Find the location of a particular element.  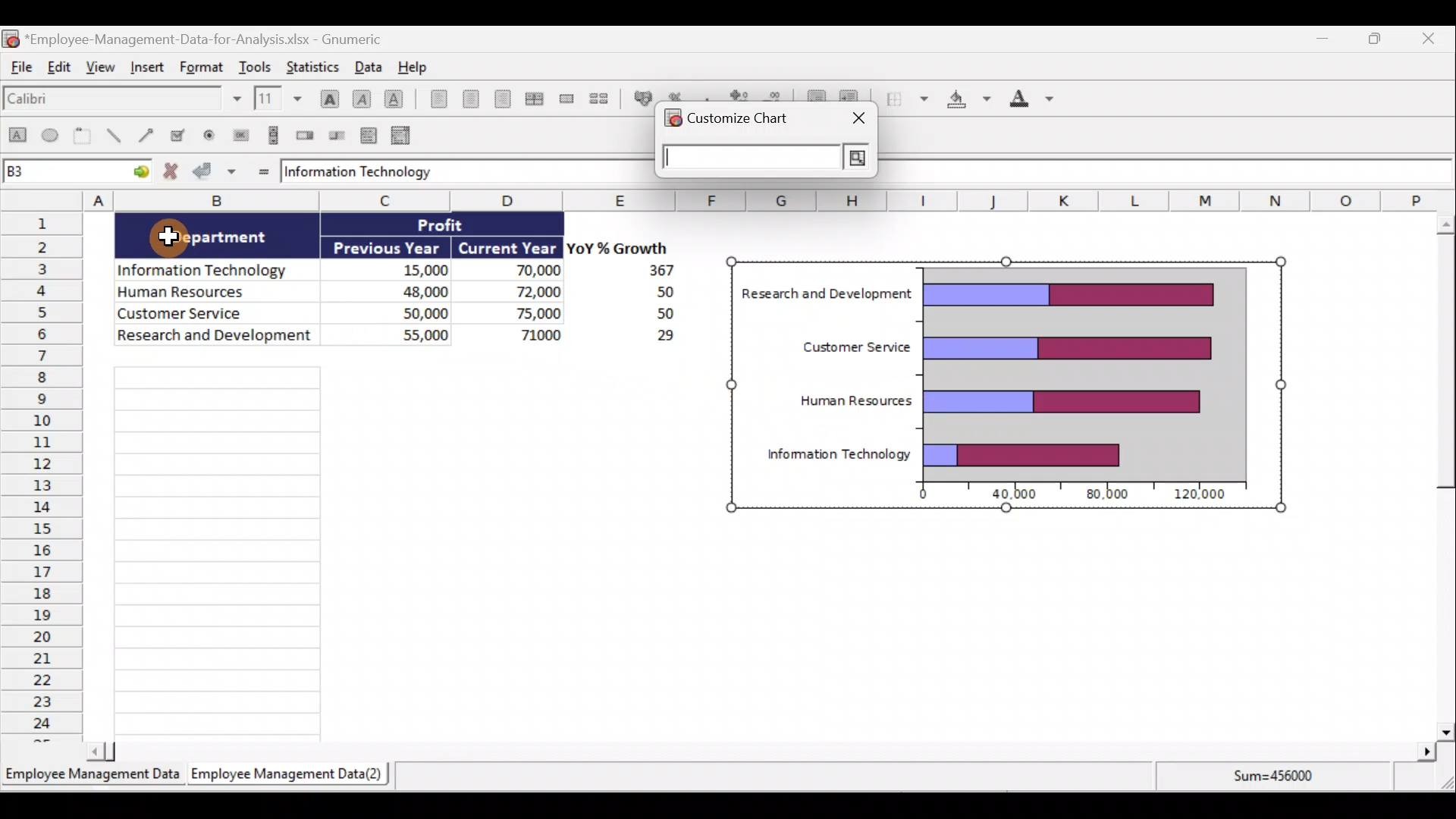

Background is located at coordinates (970, 102).